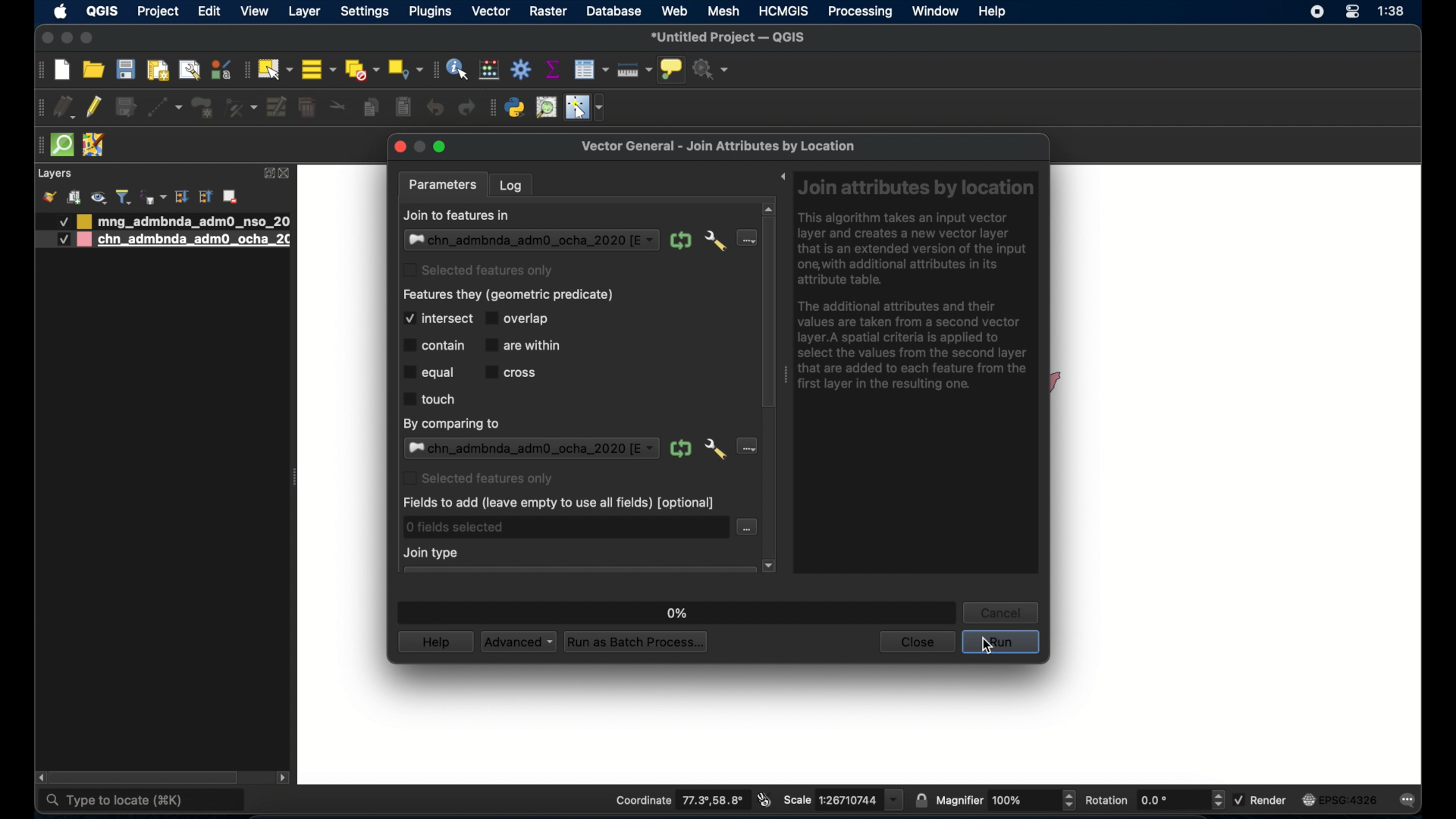 This screenshot has width=1456, height=819. Describe the element at coordinates (433, 69) in the screenshot. I see `attributes toolbar` at that location.